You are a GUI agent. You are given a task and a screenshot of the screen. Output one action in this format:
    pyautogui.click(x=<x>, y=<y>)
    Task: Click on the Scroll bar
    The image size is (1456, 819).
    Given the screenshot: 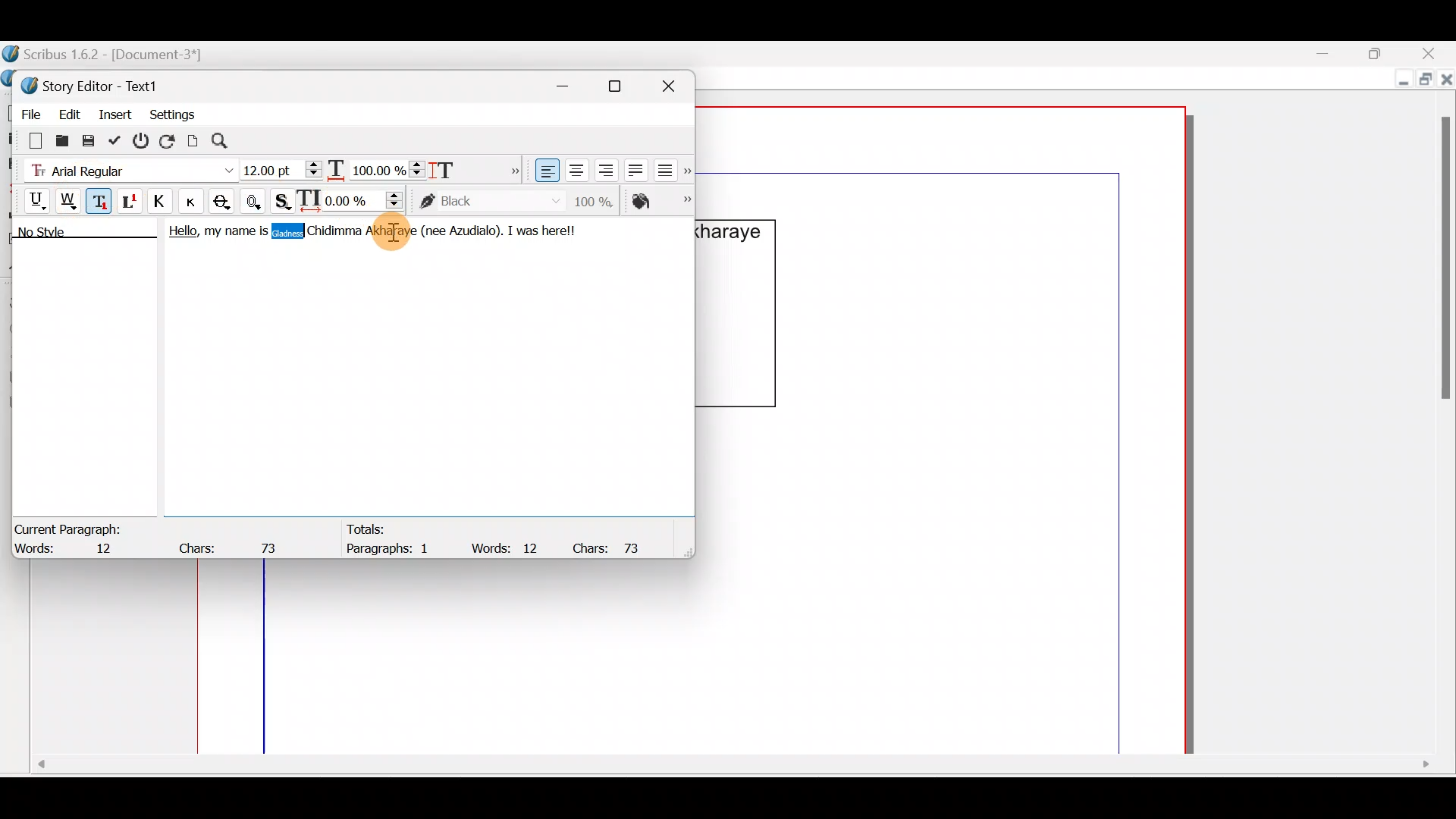 What is the action you would take?
    pyautogui.click(x=1440, y=414)
    